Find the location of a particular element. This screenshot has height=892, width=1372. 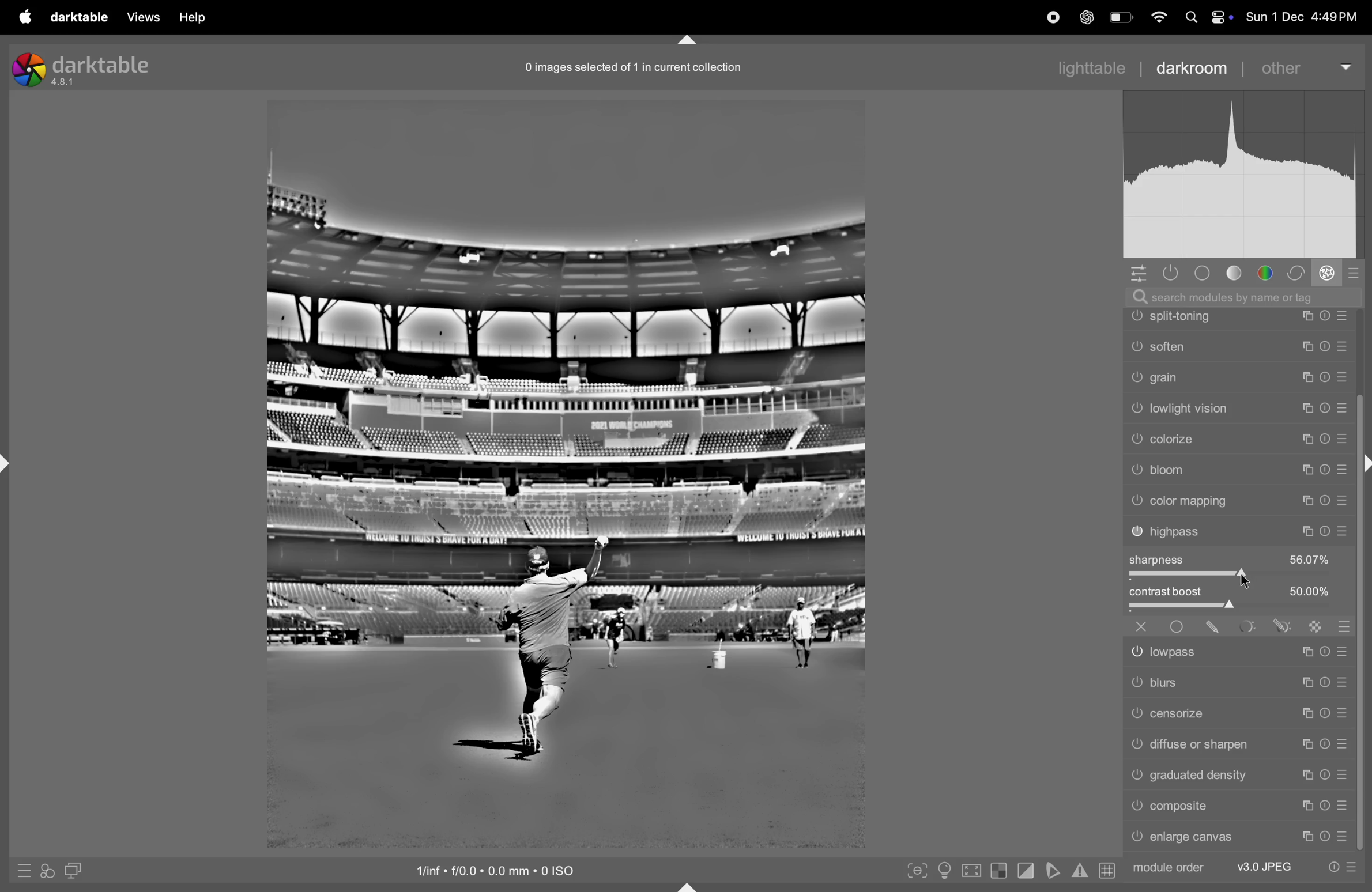

soften is located at coordinates (1238, 436).